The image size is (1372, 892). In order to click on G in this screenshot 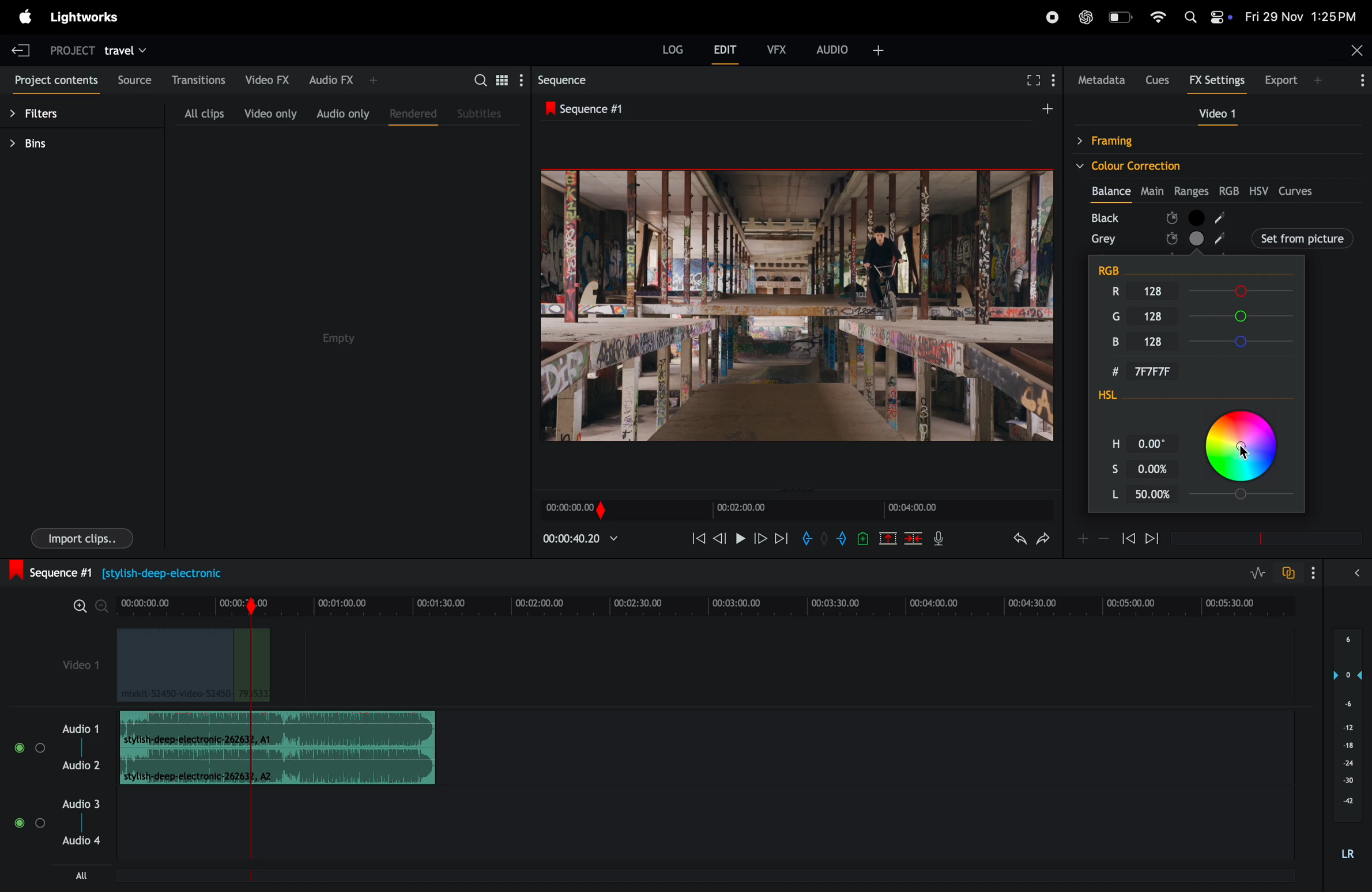, I will do `click(1111, 314)`.